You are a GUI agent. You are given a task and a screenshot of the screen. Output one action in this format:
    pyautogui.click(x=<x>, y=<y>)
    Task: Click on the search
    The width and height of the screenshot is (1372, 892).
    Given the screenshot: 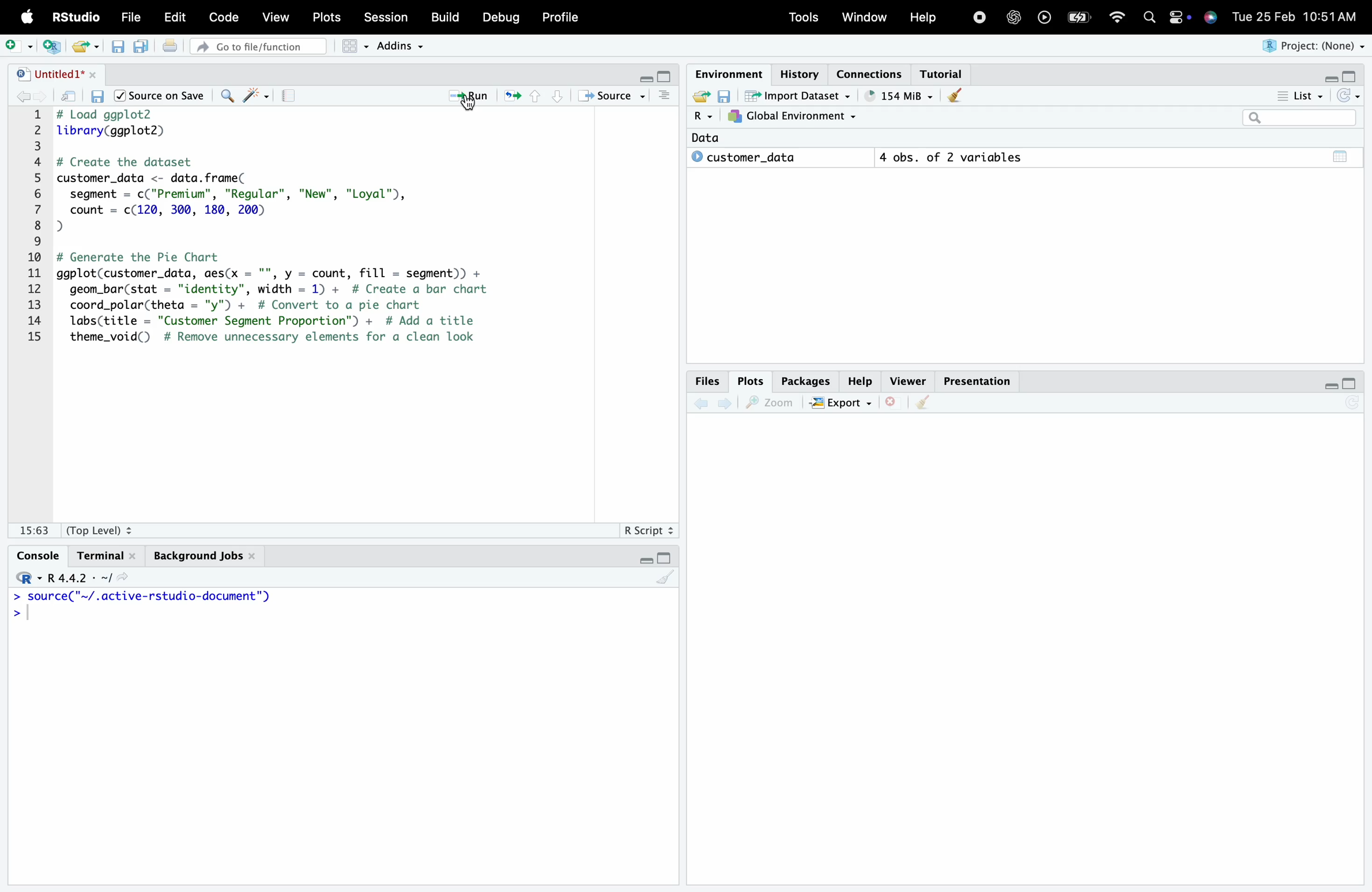 What is the action you would take?
    pyautogui.click(x=1153, y=19)
    